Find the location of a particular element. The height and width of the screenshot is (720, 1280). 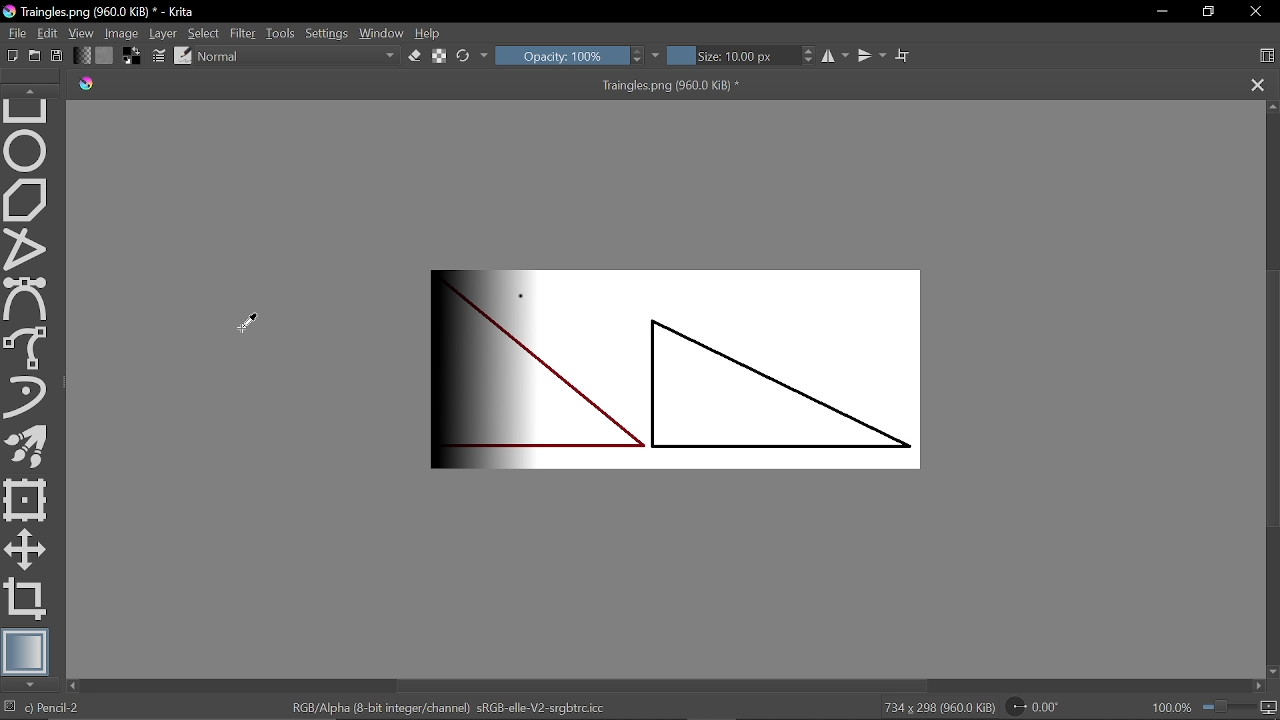

Freehand path tool is located at coordinates (29, 348).